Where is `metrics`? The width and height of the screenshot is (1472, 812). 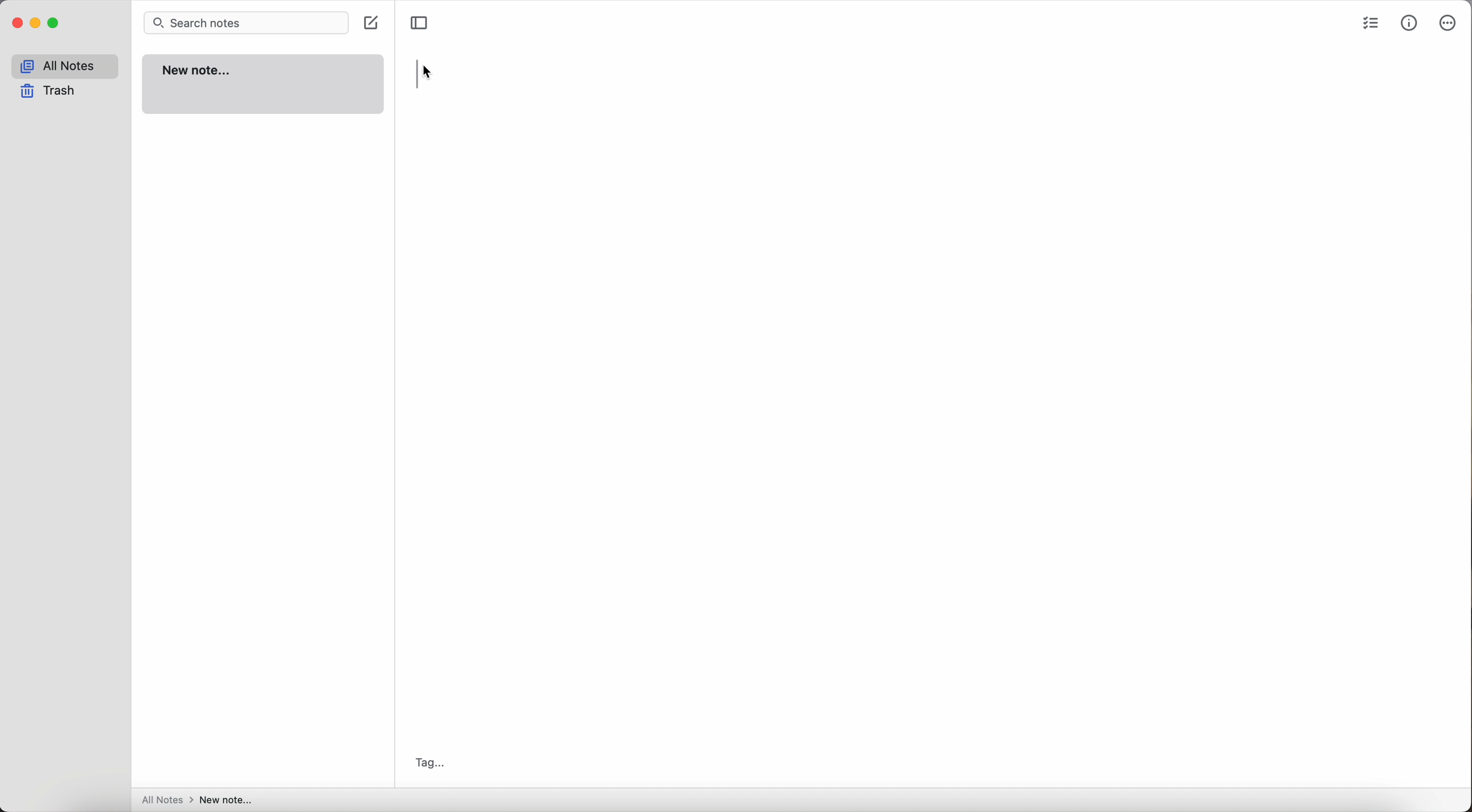 metrics is located at coordinates (1410, 23).